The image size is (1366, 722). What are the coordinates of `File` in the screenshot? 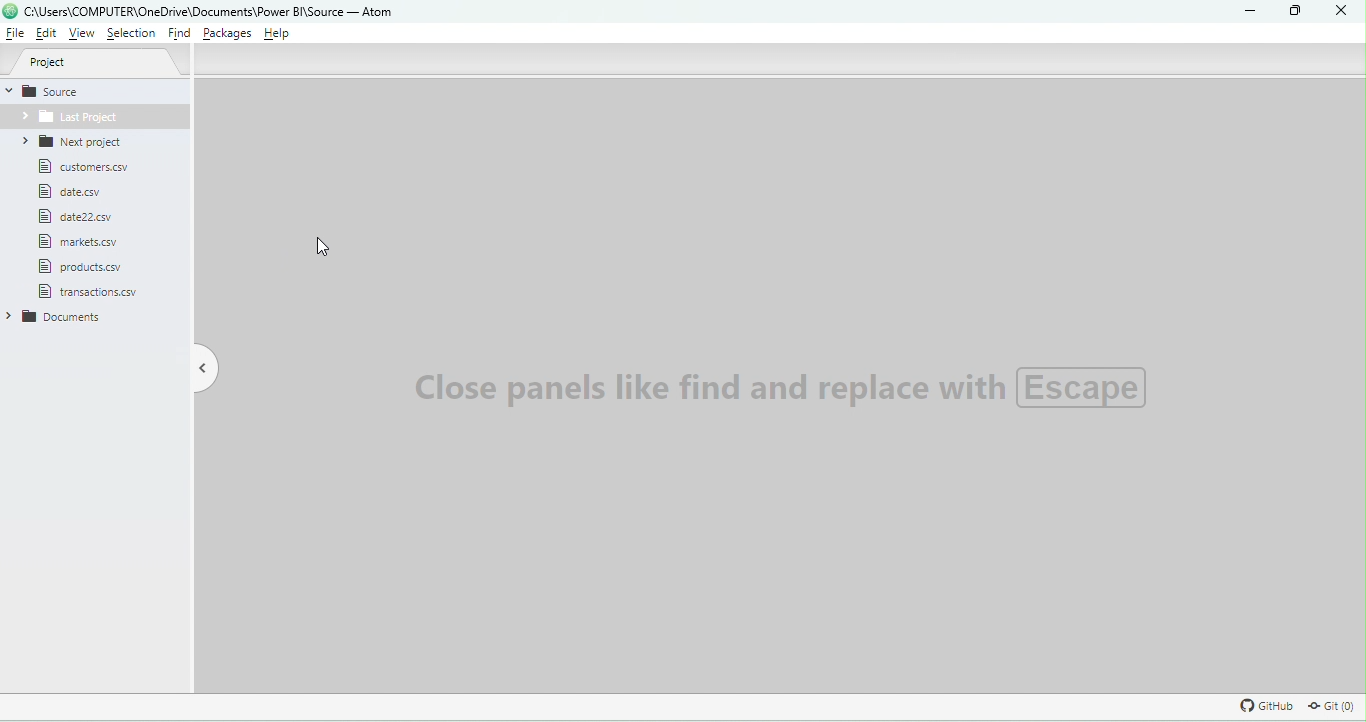 It's located at (83, 167).